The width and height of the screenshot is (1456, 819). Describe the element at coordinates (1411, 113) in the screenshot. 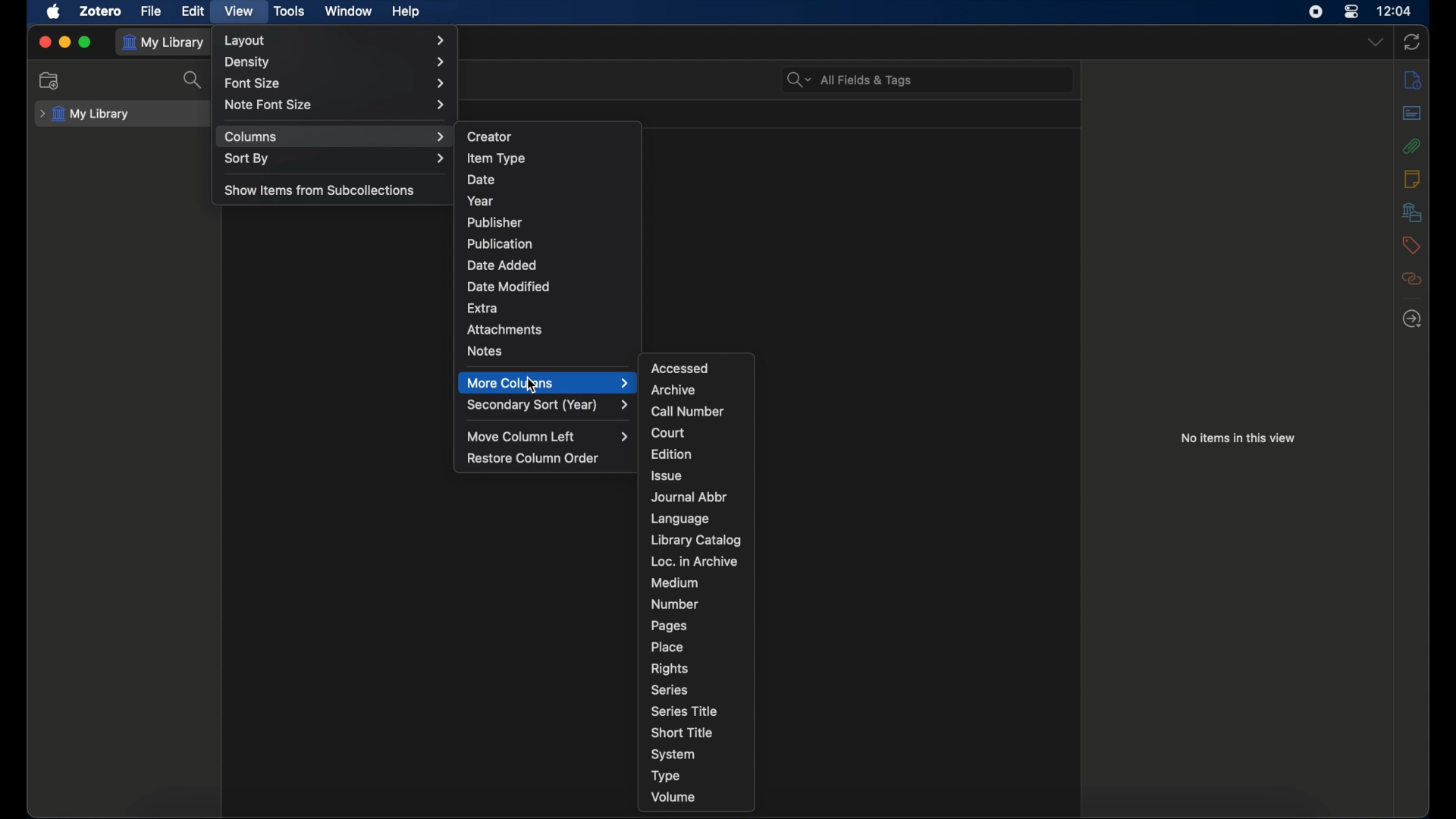

I see `abstract` at that location.